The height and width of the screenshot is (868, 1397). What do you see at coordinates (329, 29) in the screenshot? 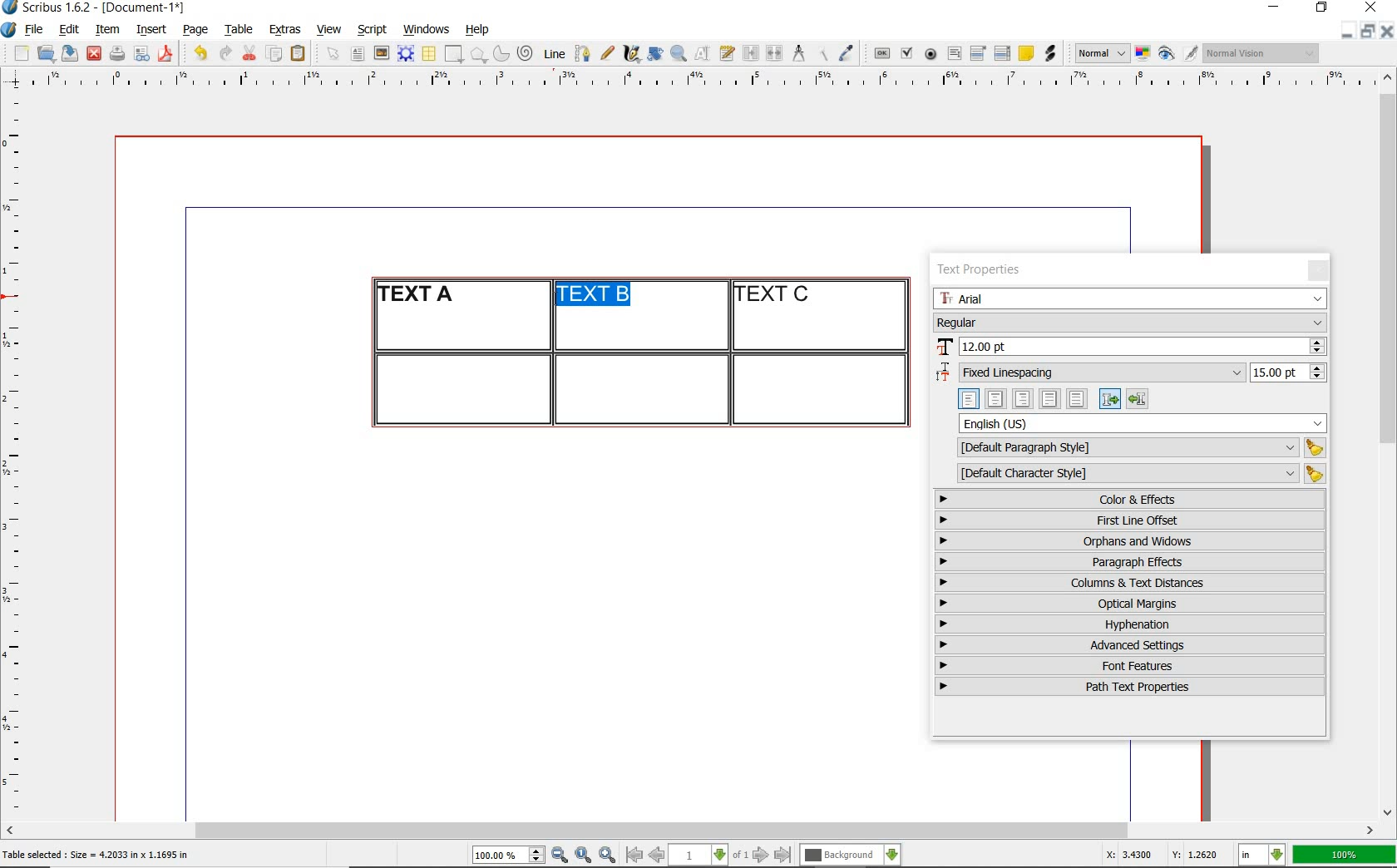
I see `view` at bounding box center [329, 29].